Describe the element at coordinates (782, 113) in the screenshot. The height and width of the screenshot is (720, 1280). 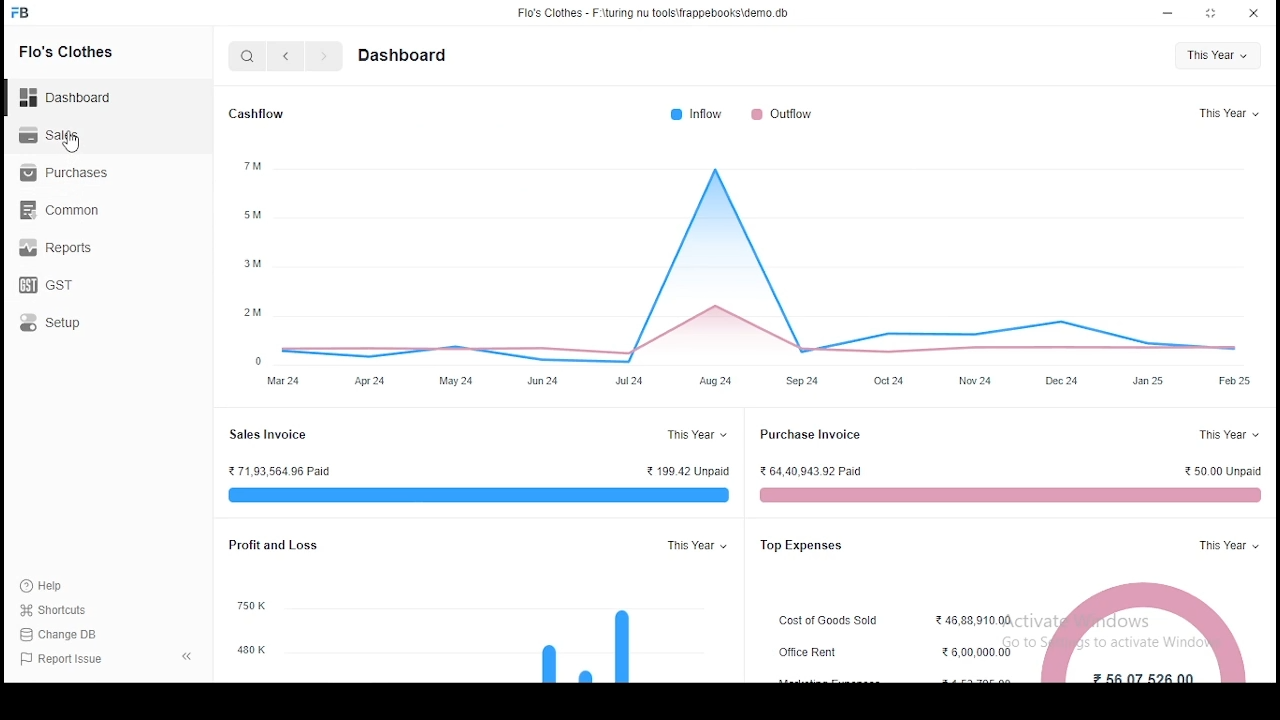
I see `outflow` at that location.